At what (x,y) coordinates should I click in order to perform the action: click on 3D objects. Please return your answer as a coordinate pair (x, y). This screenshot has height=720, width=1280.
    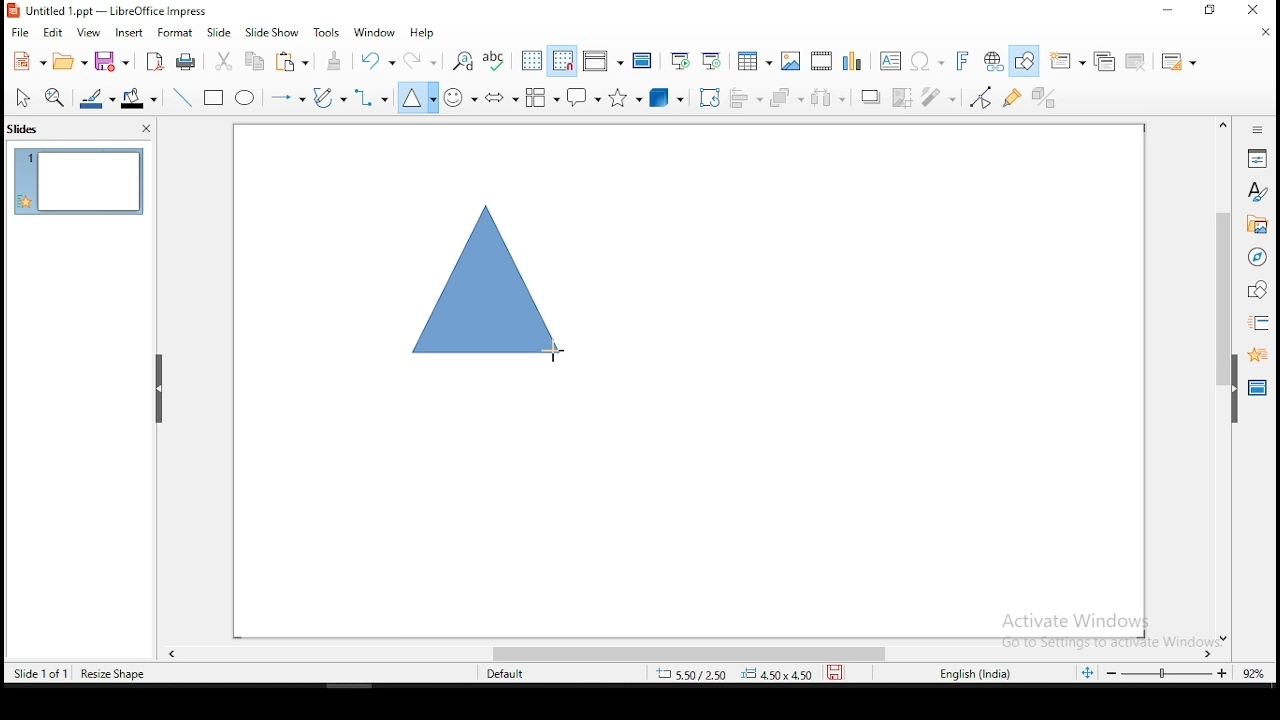
    Looking at the image, I should click on (667, 97).